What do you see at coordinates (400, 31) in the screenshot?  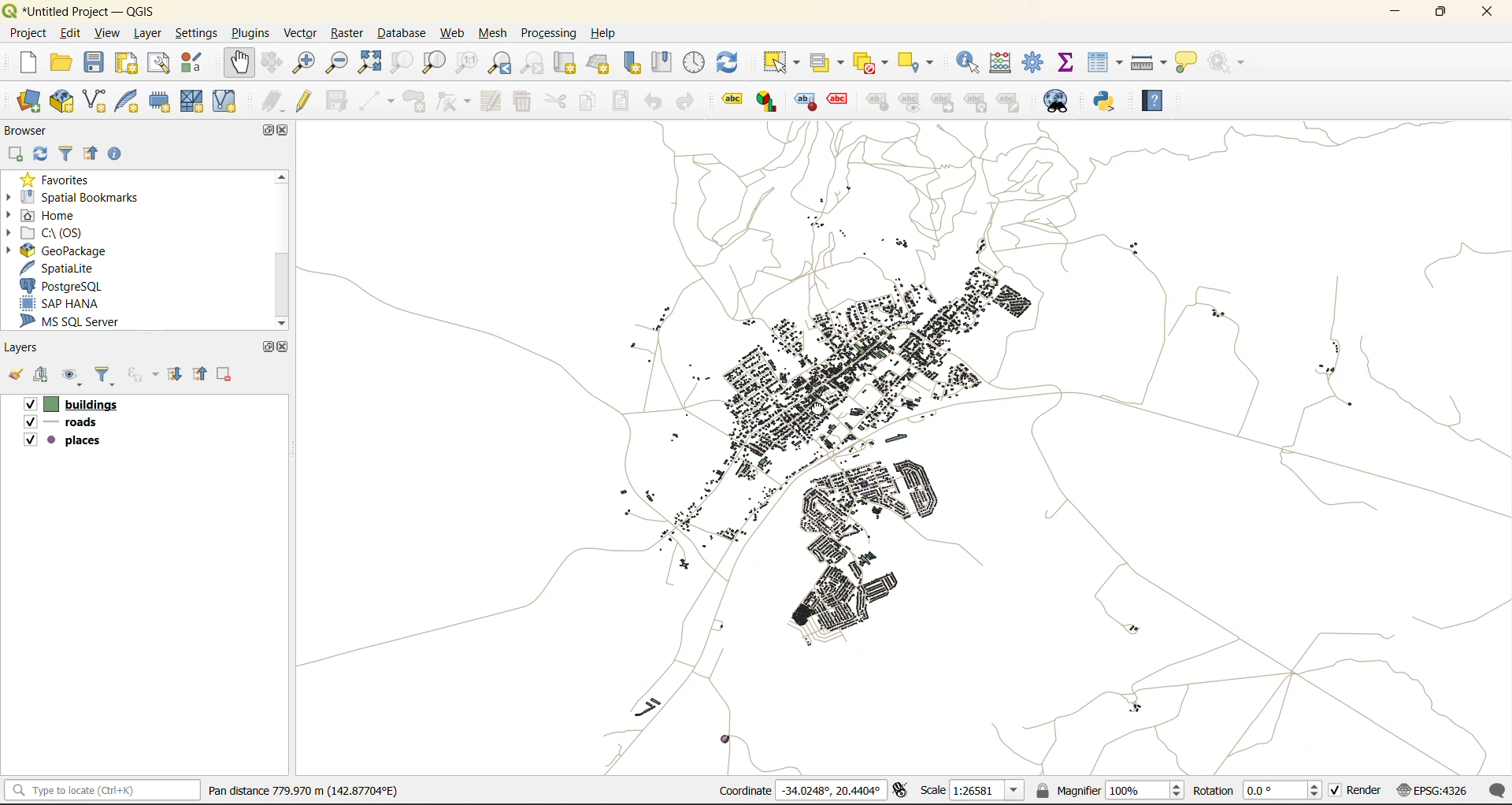 I see `database` at bounding box center [400, 31].